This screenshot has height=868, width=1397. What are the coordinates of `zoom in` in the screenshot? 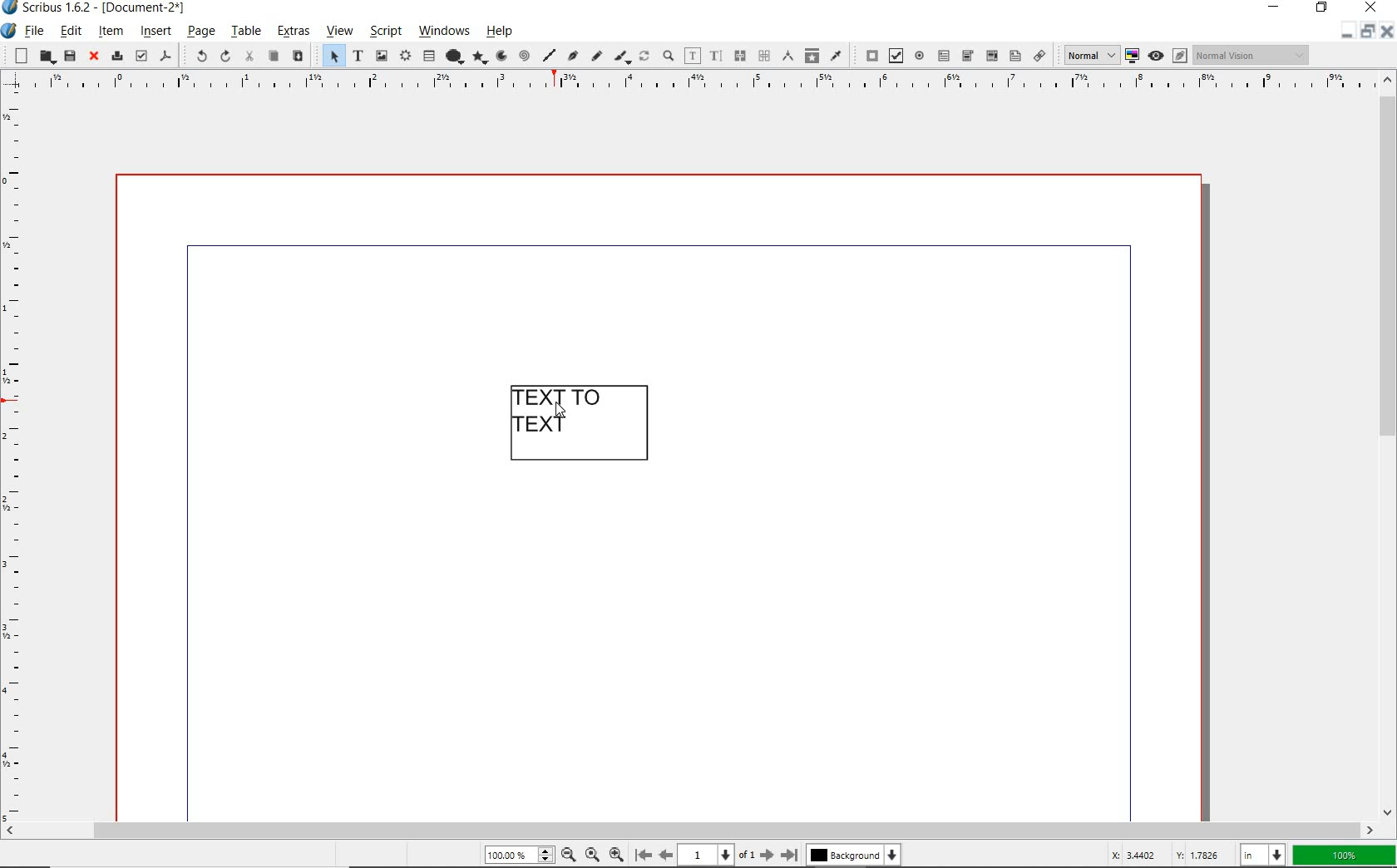 It's located at (620, 852).